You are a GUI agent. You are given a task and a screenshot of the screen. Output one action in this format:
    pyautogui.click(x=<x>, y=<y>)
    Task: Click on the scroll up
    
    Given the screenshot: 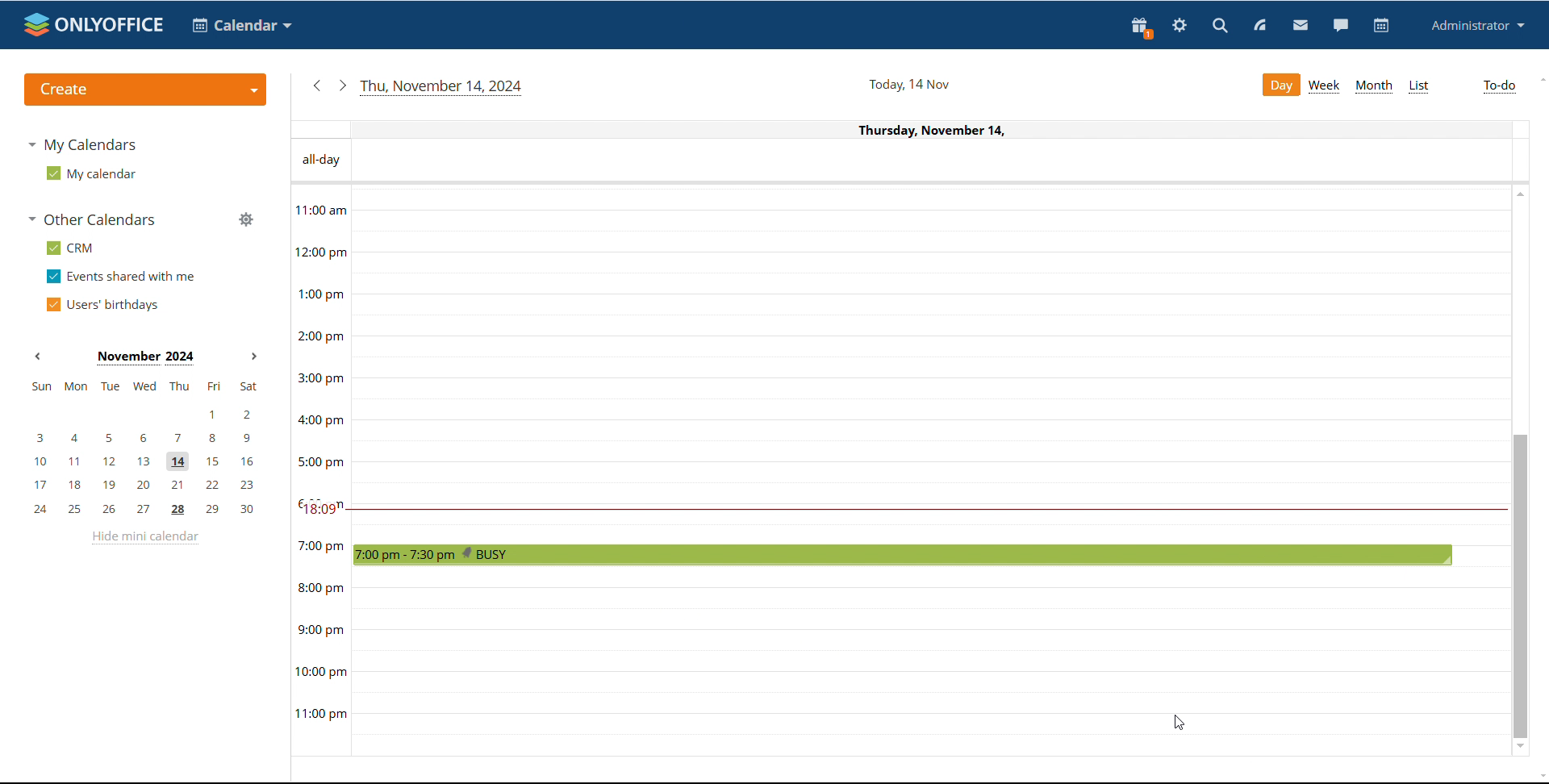 What is the action you would take?
    pyautogui.click(x=1539, y=81)
    